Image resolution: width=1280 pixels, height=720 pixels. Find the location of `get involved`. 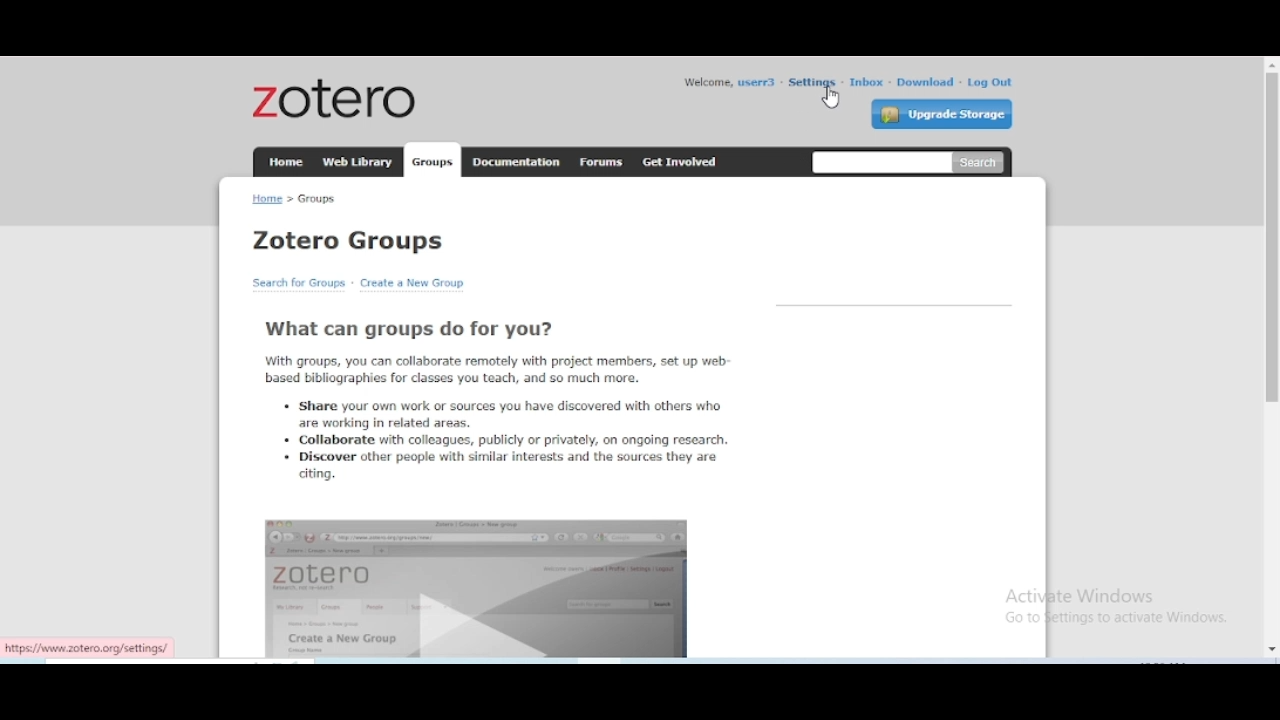

get involved is located at coordinates (681, 161).